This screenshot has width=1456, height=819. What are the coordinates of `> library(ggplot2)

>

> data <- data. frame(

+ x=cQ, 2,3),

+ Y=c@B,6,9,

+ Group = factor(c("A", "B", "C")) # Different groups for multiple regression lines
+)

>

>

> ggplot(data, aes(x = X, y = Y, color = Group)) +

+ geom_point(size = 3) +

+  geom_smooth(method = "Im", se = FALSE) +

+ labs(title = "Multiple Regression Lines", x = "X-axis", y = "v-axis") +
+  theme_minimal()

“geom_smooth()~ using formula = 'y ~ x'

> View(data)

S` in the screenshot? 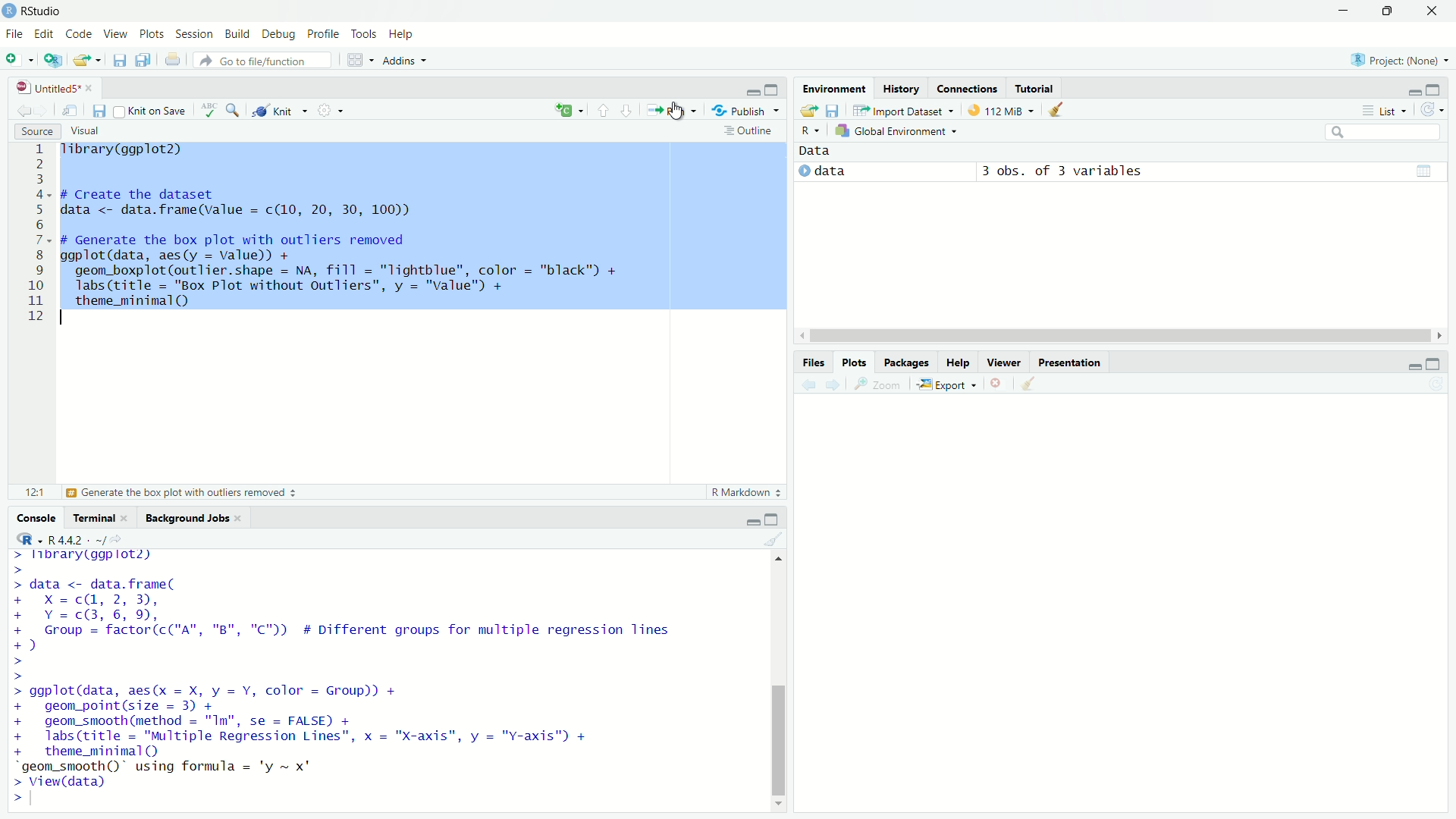 It's located at (357, 676).